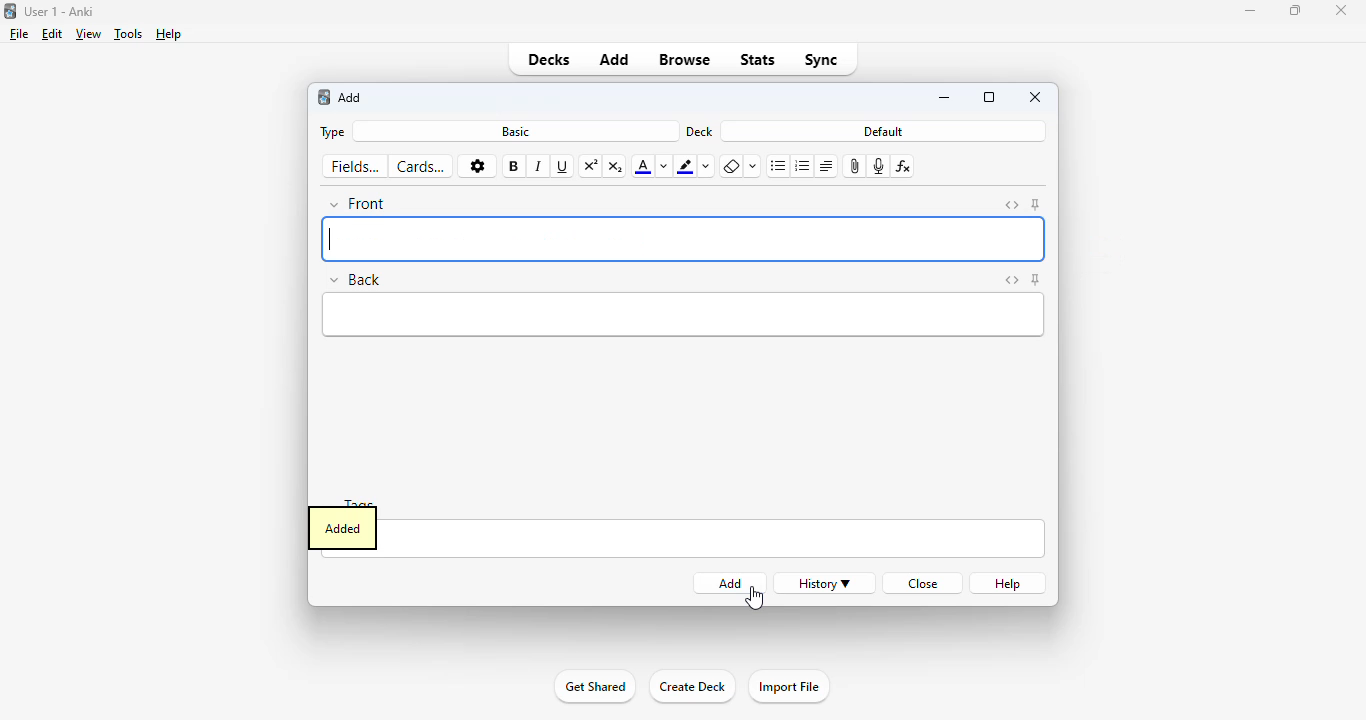  I want to click on default, so click(883, 131).